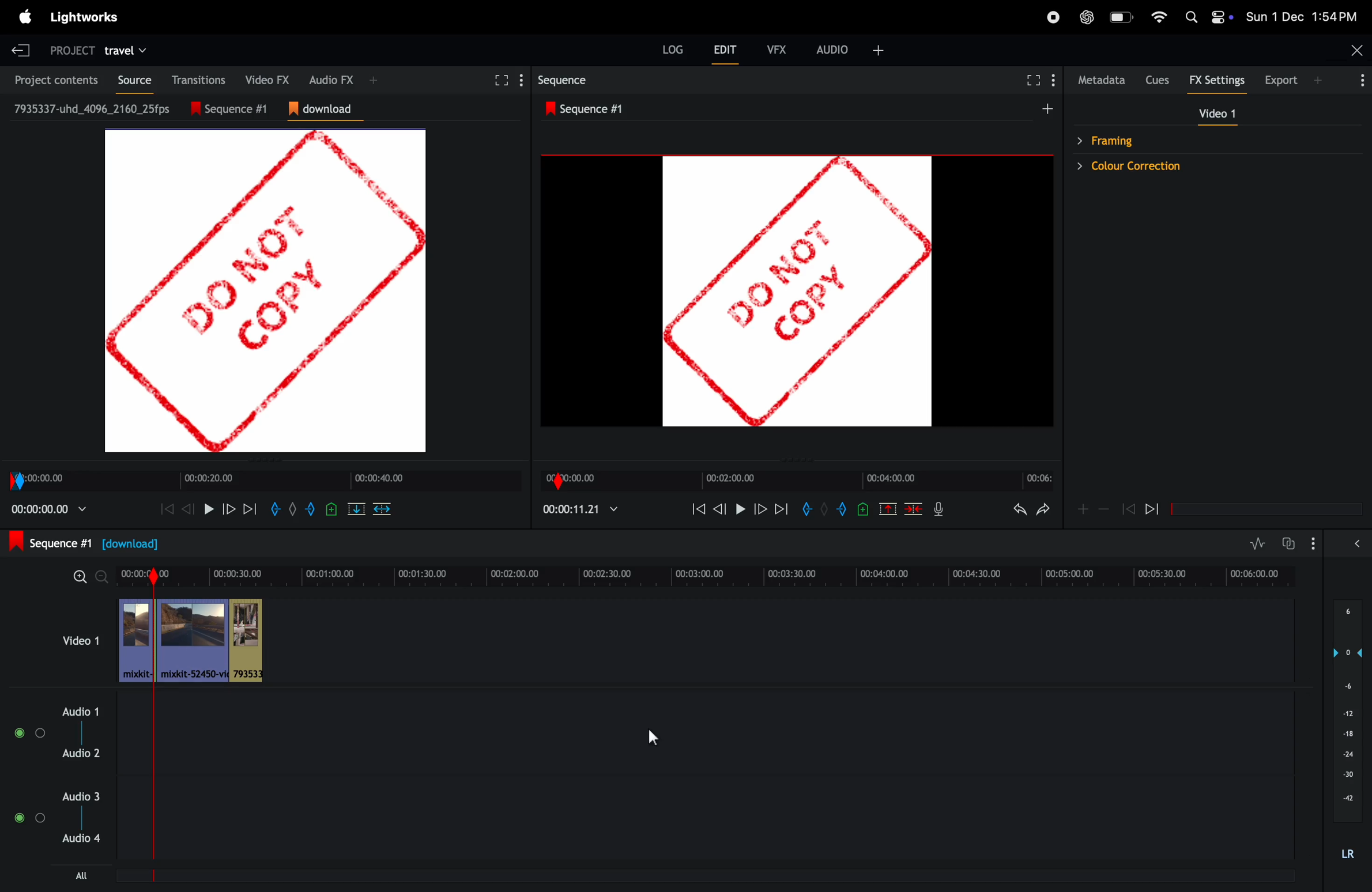  Describe the element at coordinates (125, 52) in the screenshot. I see `travel` at that location.